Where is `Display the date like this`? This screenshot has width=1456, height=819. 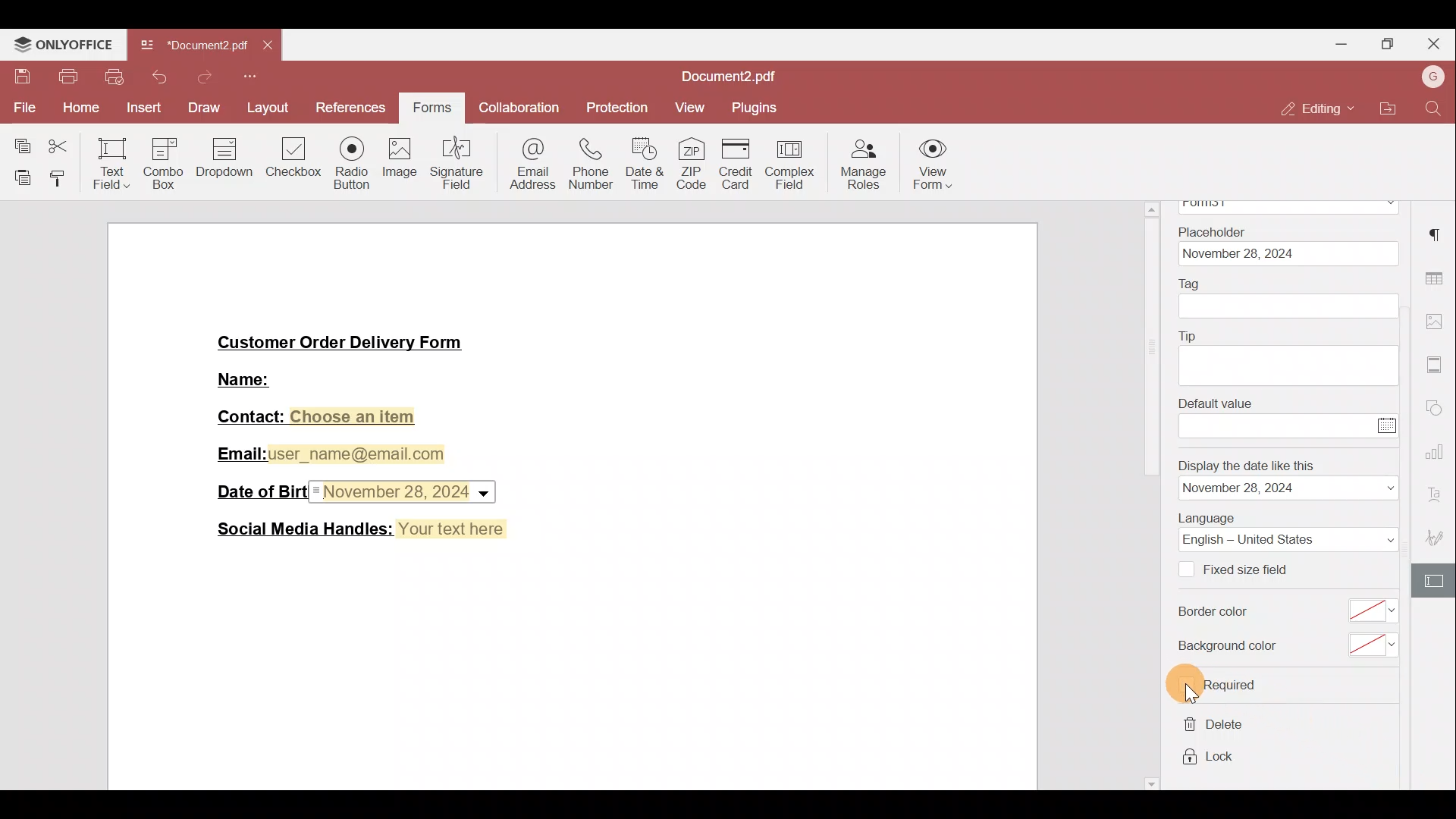
Display the date like this is located at coordinates (1248, 464).